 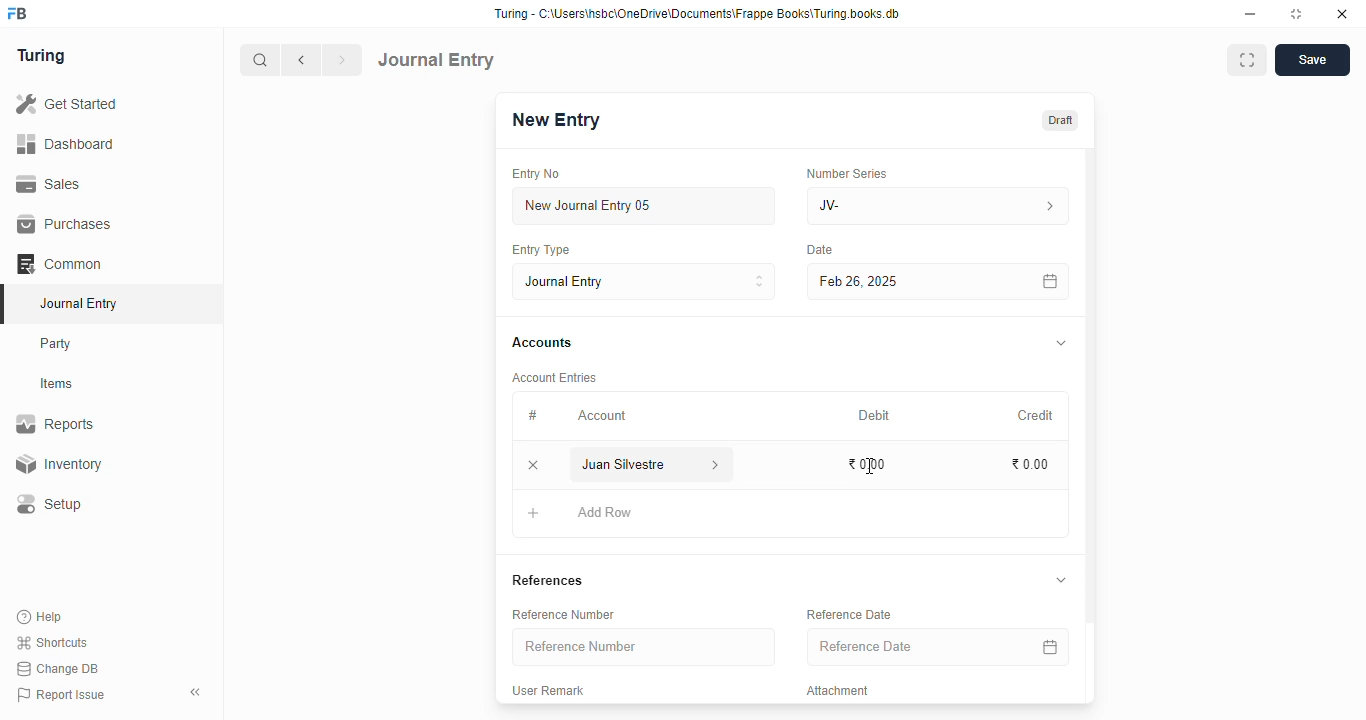 I want to click on remove, so click(x=535, y=466).